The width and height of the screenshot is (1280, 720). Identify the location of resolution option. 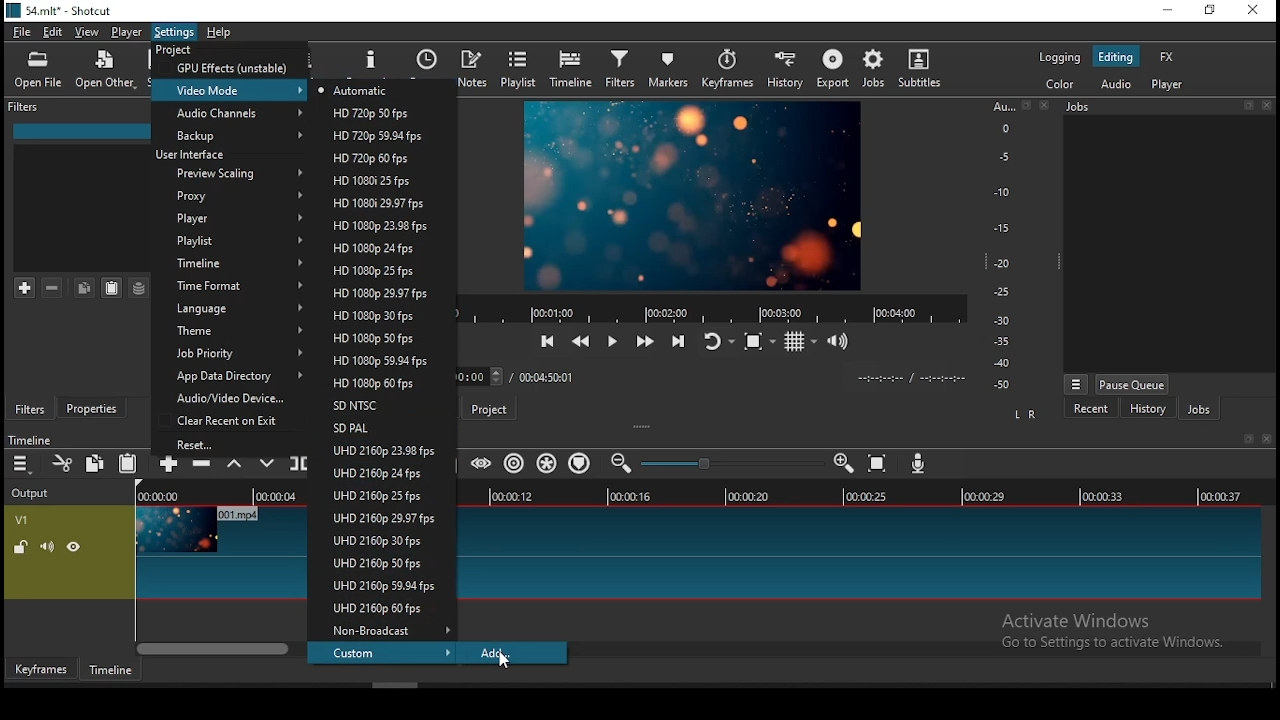
(383, 315).